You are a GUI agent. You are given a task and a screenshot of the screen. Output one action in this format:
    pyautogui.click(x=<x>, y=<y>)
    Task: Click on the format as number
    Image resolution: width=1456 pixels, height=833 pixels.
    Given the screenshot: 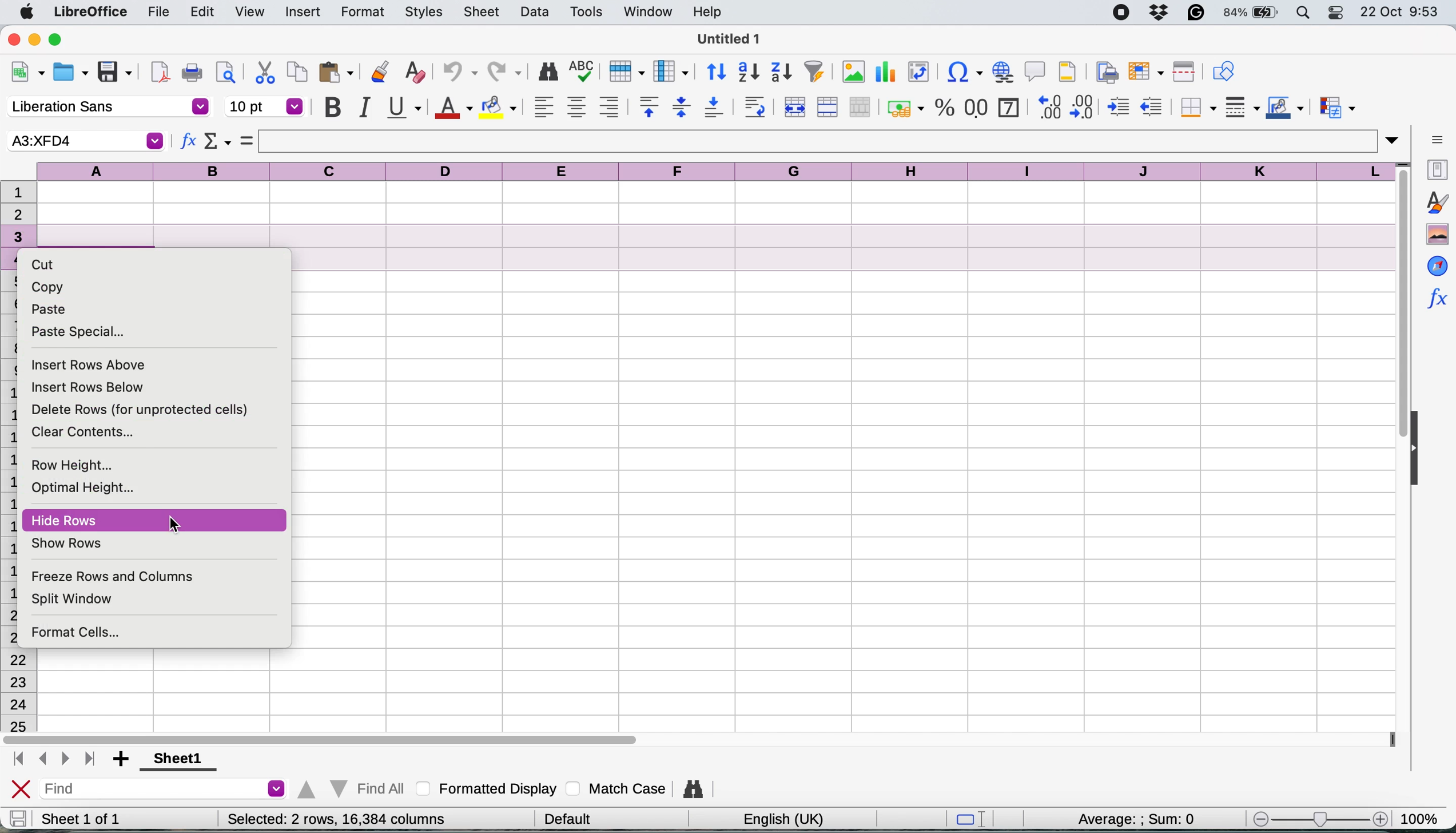 What is the action you would take?
    pyautogui.click(x=977, y=106)
    